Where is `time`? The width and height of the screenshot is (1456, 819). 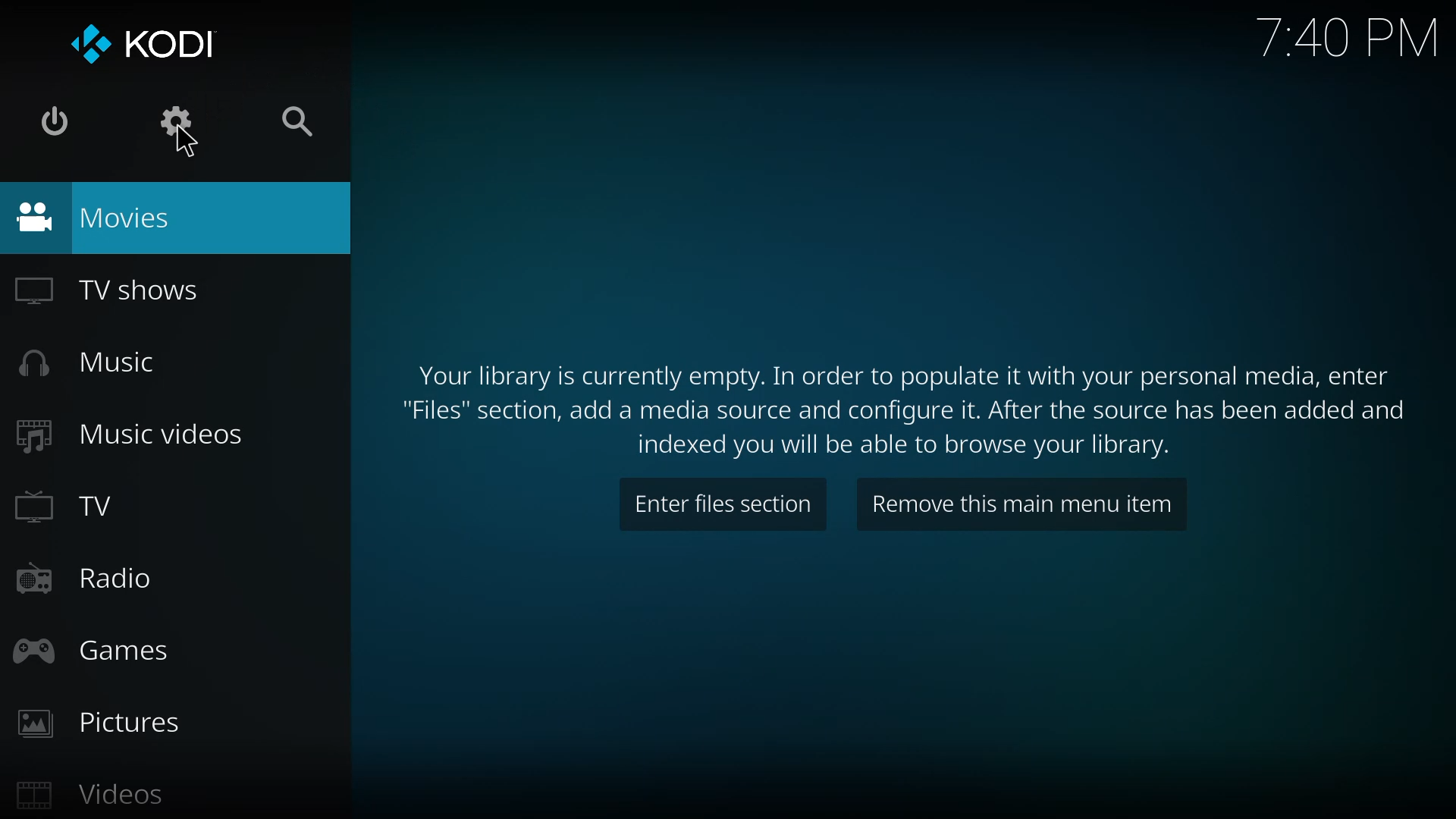
time is located at coordinates (1348, 36).